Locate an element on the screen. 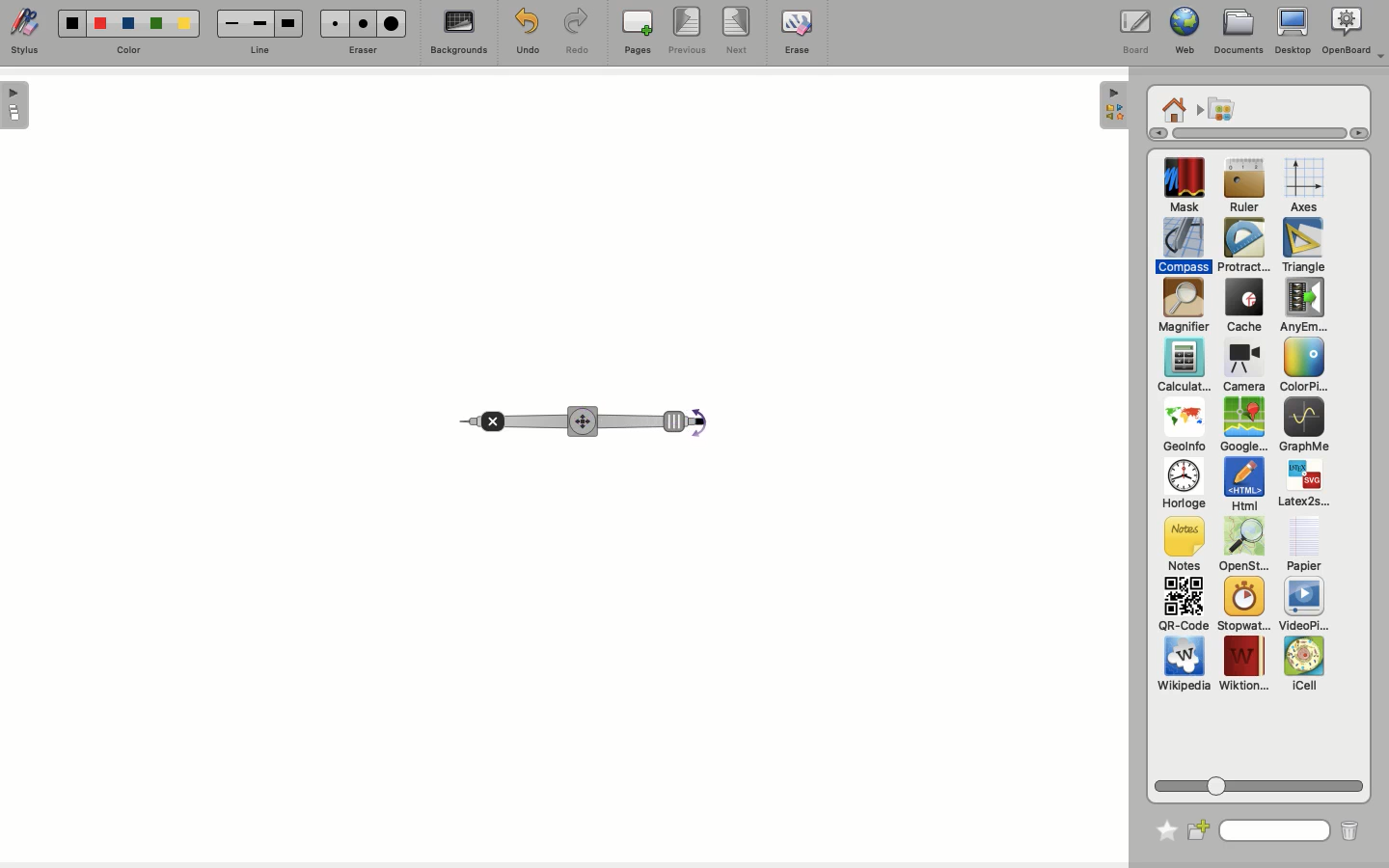 The image size is (1389, 868). Applications is located at coordinates (1221, 110).